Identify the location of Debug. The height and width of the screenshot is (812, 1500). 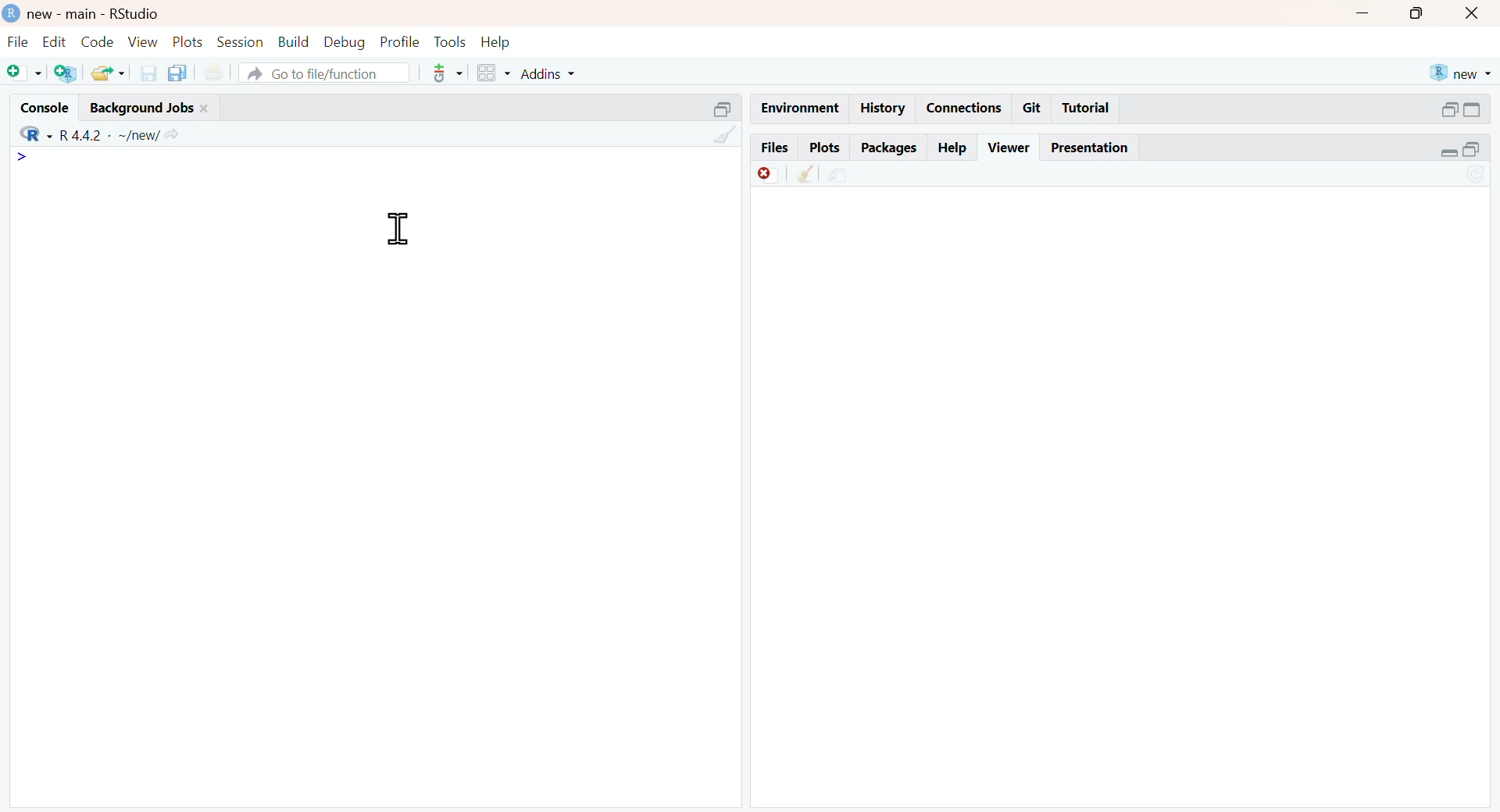
(343, 42).